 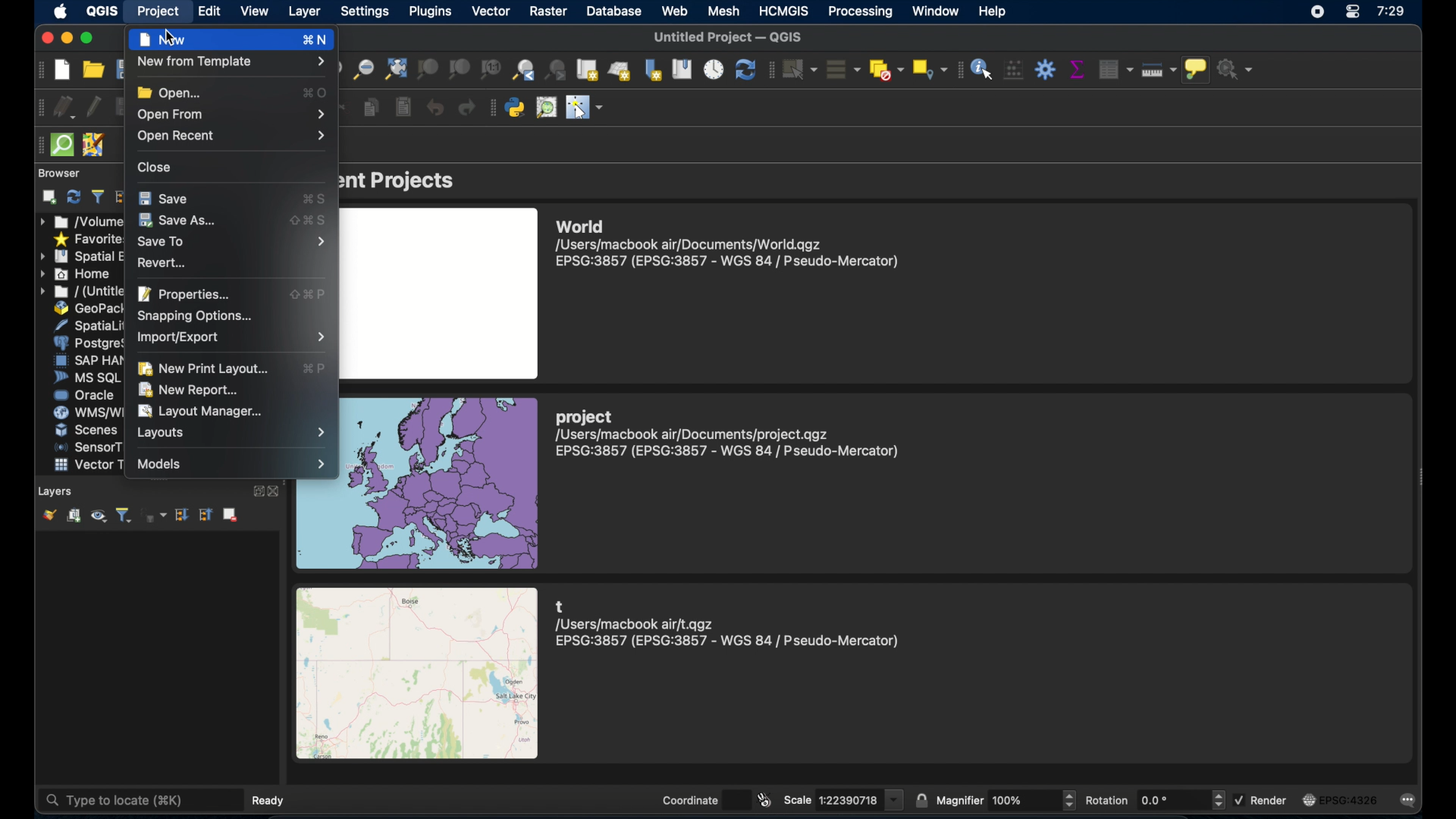 What do you see at coordinates (63, 239) in the screenshot?
I see `icon` at bounding box center [63, 239].